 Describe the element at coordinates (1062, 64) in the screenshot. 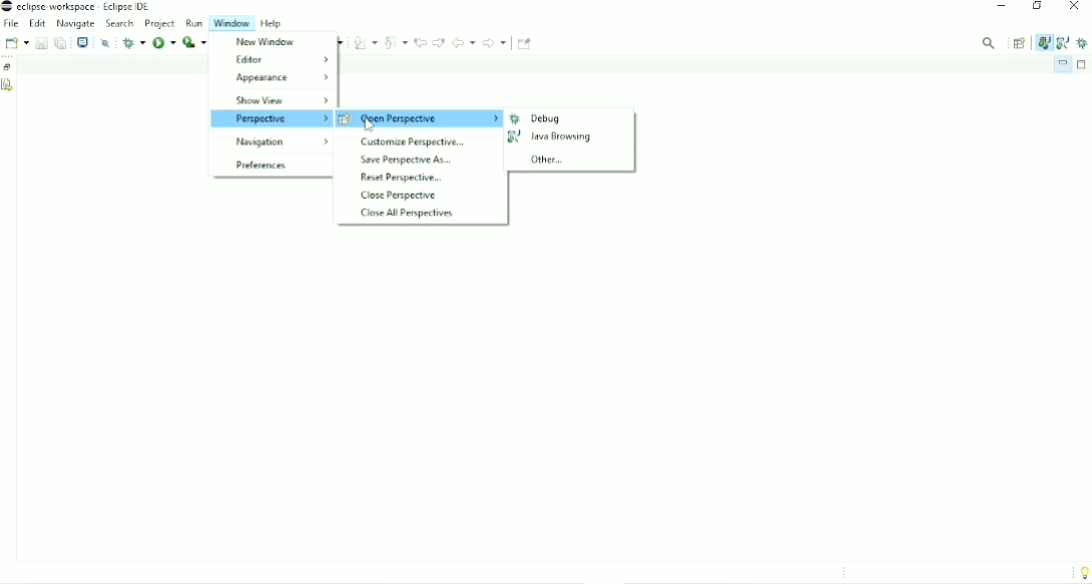

I see `Minimize` at that location.